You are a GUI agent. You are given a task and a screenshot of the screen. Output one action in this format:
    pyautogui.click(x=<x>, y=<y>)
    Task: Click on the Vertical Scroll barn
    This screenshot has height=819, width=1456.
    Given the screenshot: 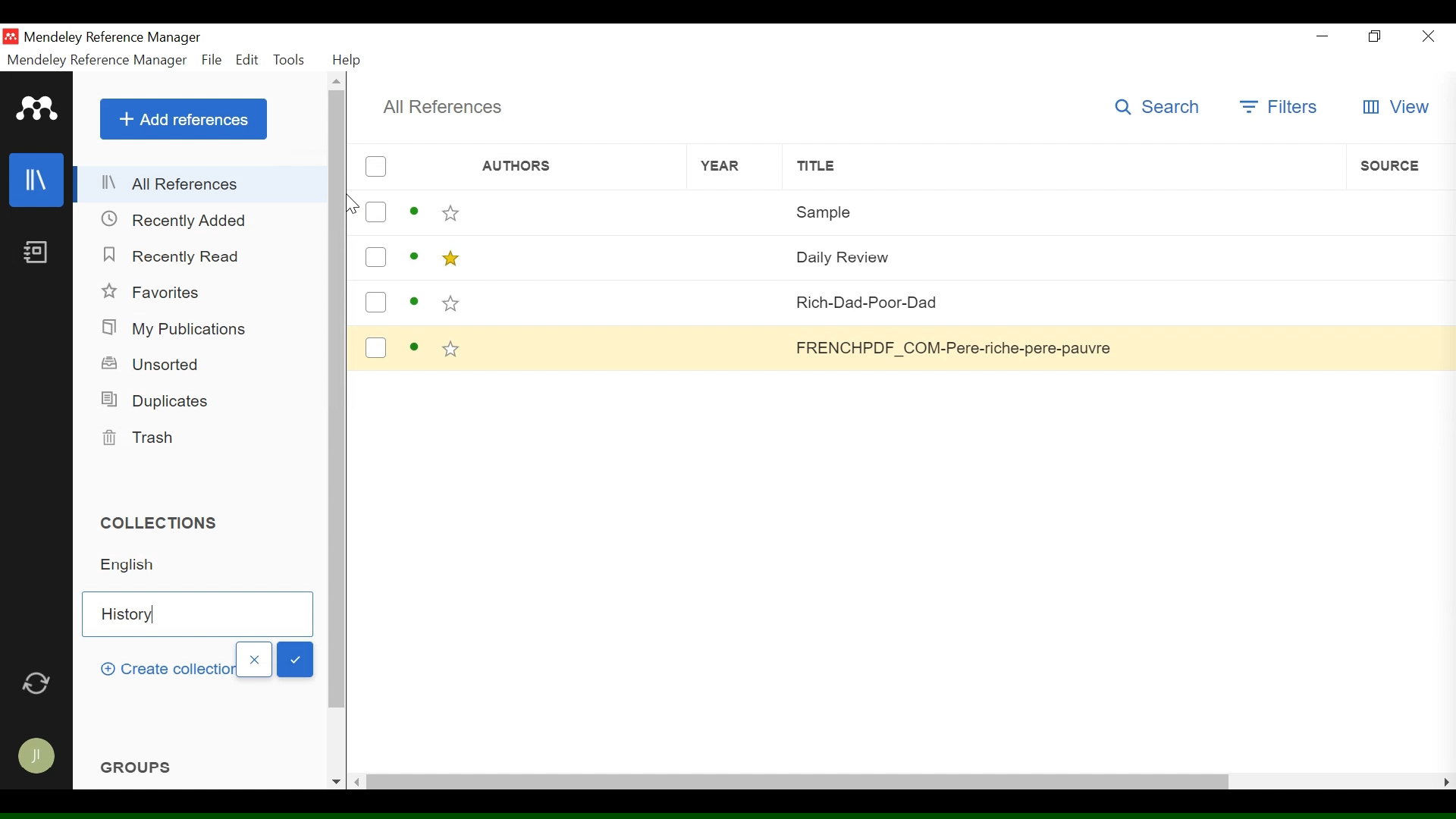 What is the action you would take?
    pyautogui.click(x=336, y=416)
    